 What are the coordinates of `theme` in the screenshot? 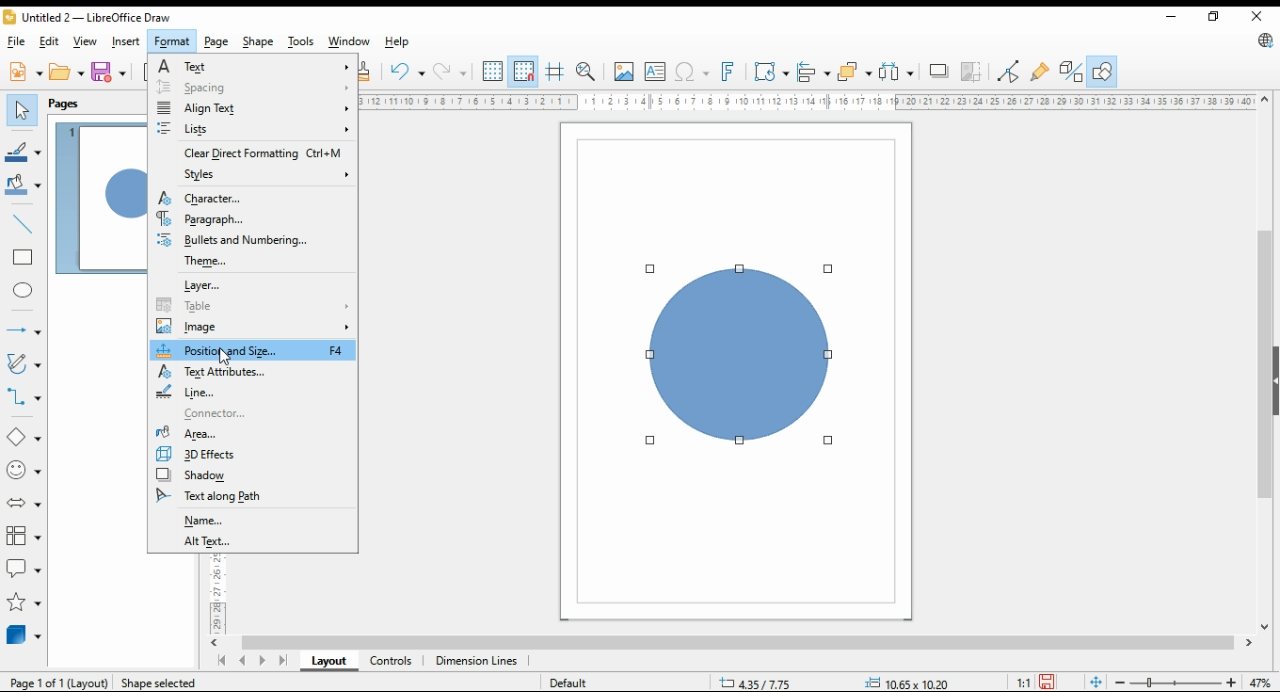 It's located at (242, 261).